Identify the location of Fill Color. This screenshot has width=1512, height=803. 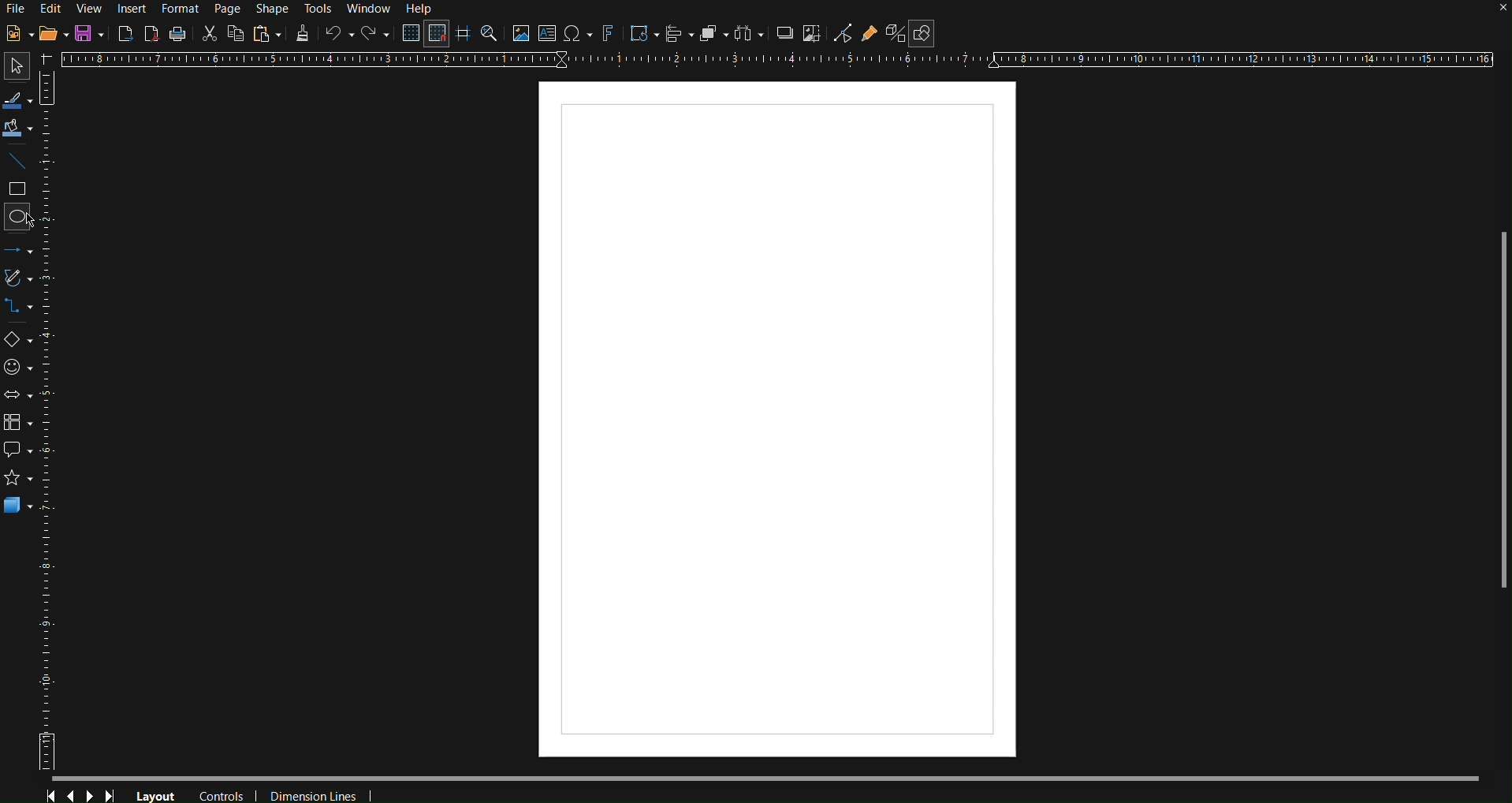
(18, 129).